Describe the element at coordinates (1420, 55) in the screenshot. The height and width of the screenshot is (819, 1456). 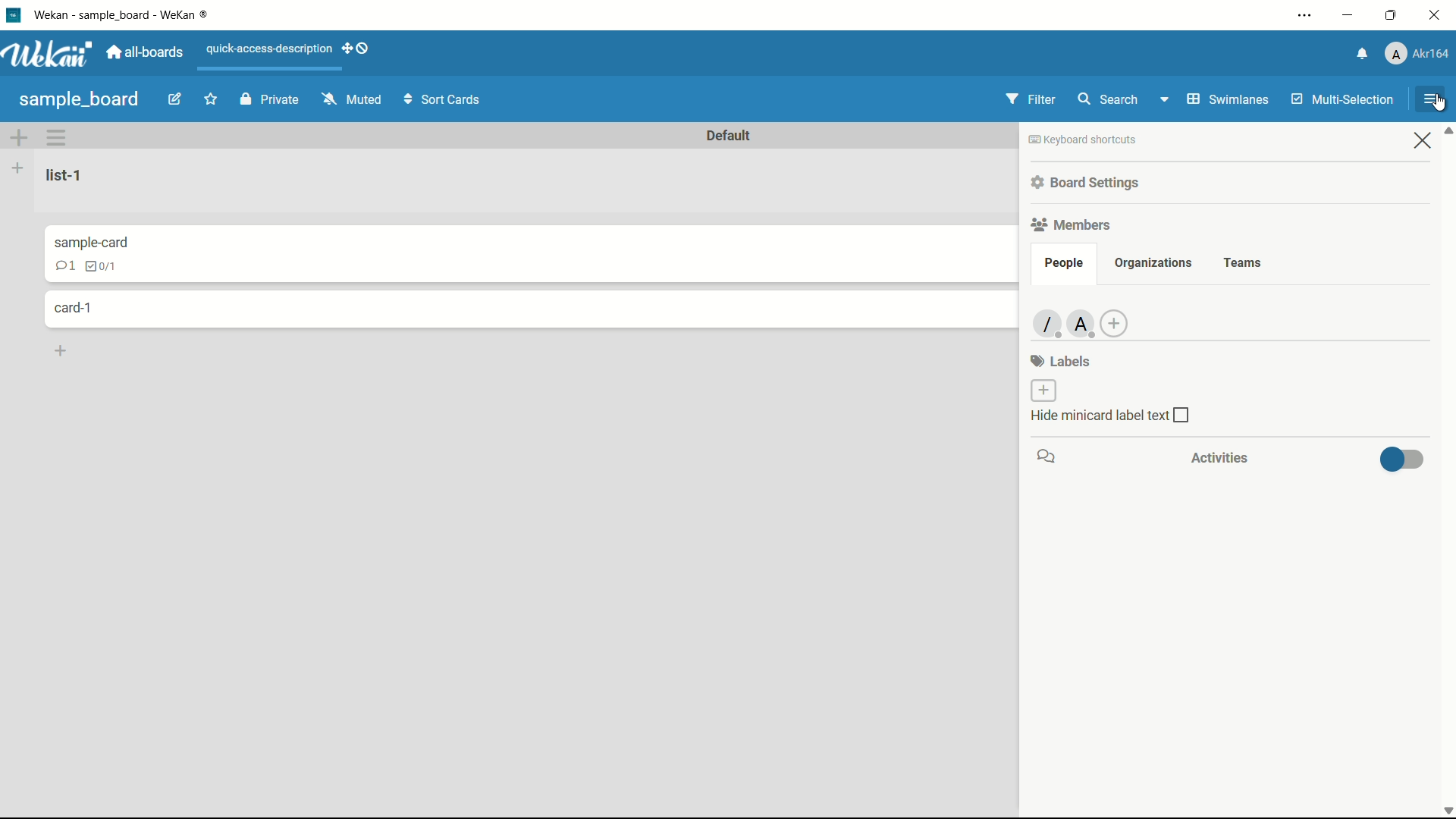
I see `profile` at that location.